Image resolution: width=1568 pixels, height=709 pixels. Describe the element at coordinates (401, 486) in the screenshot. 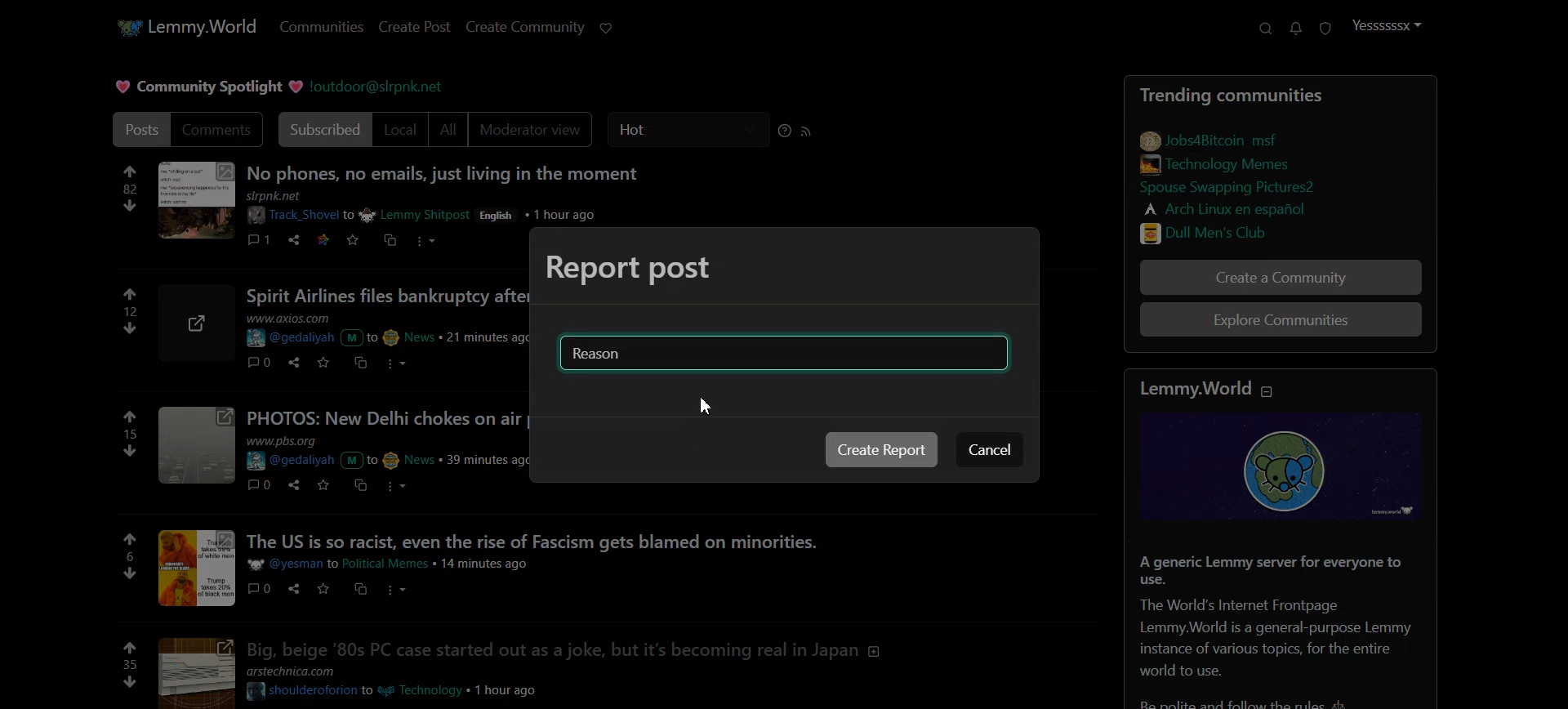

I see `more` at that location.